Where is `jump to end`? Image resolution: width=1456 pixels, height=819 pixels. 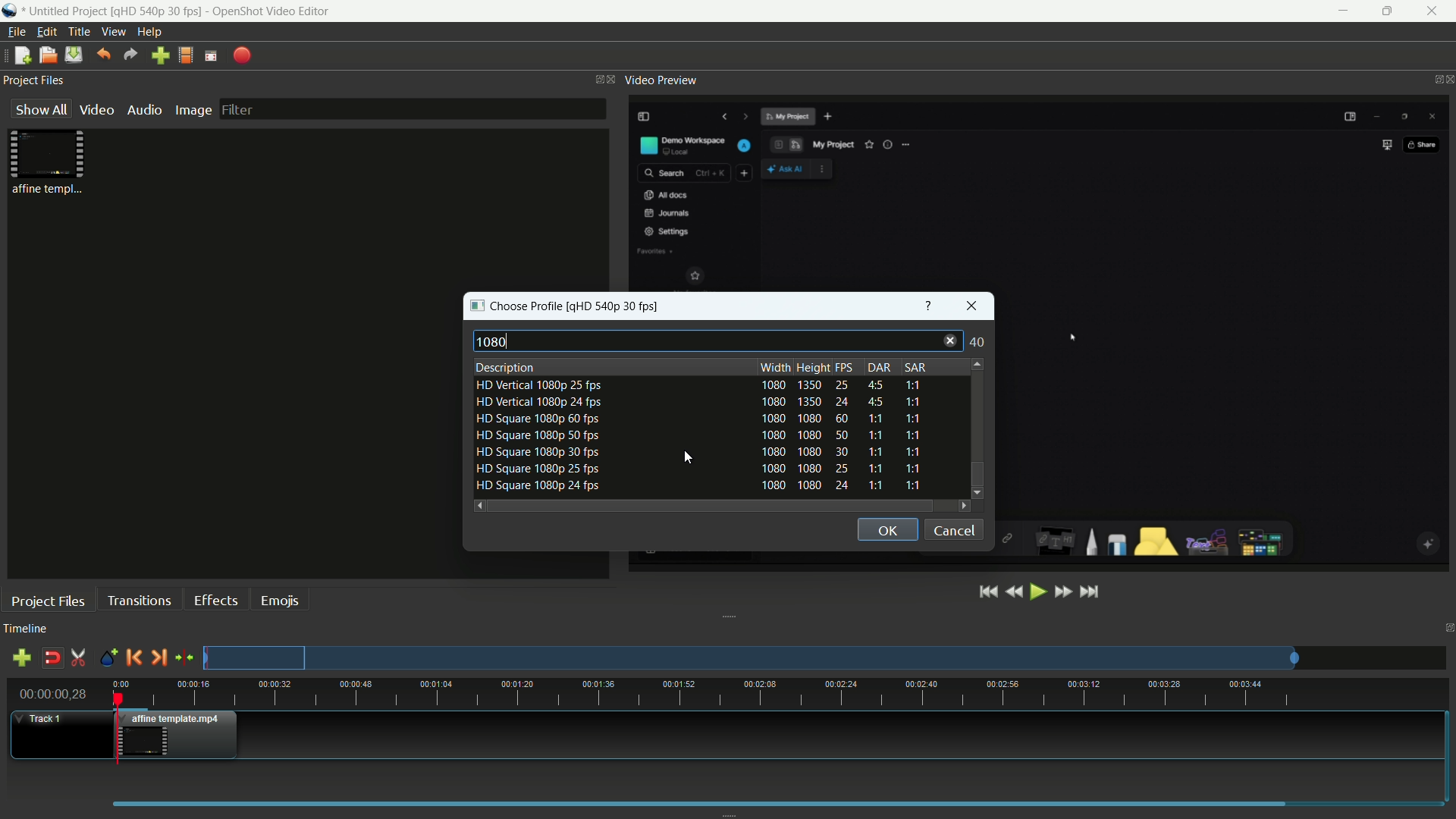
jump to end is located at coordinates (1091, 592).